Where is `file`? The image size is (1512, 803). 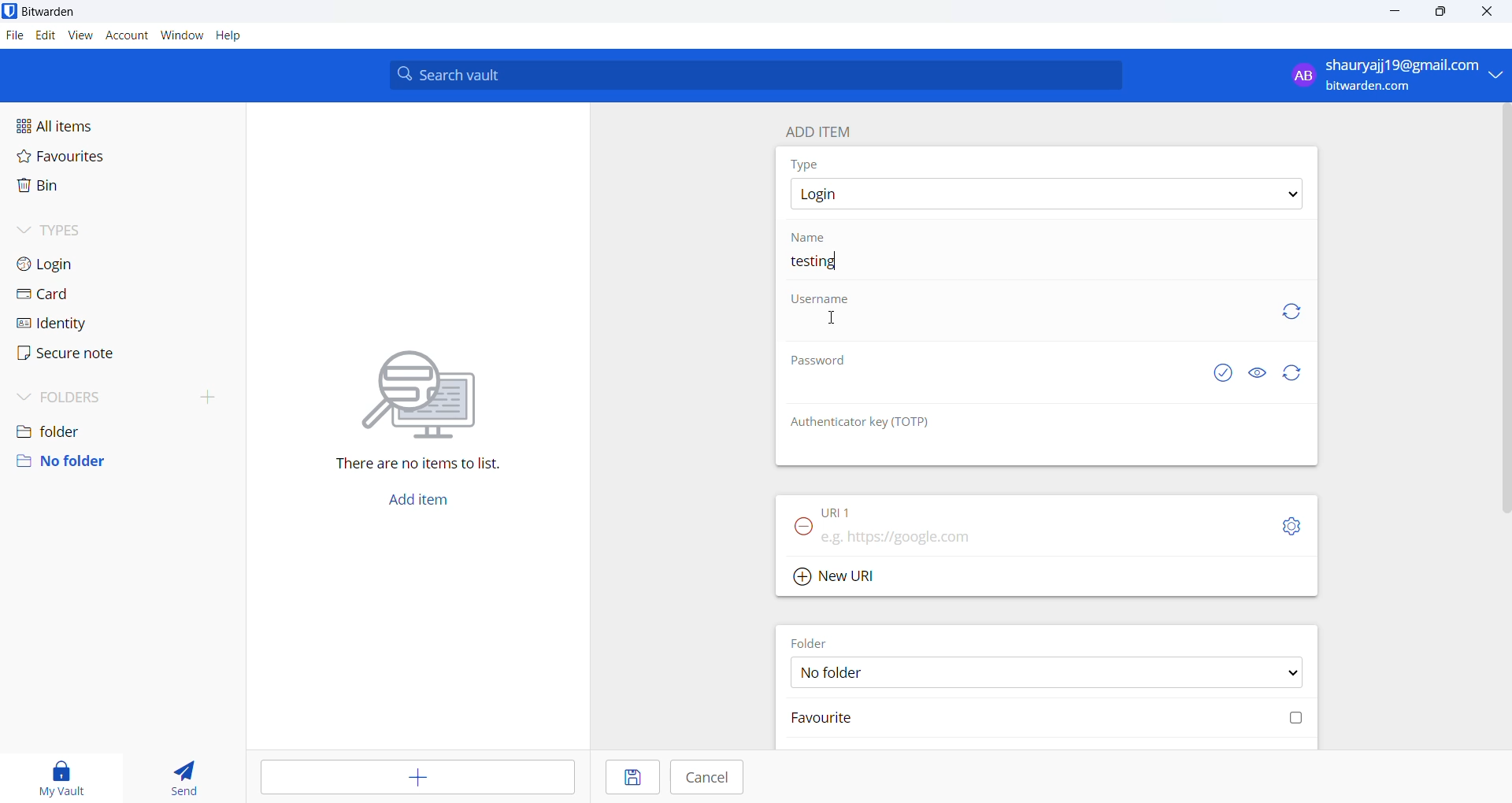 file is located at coordinates (13, 37).